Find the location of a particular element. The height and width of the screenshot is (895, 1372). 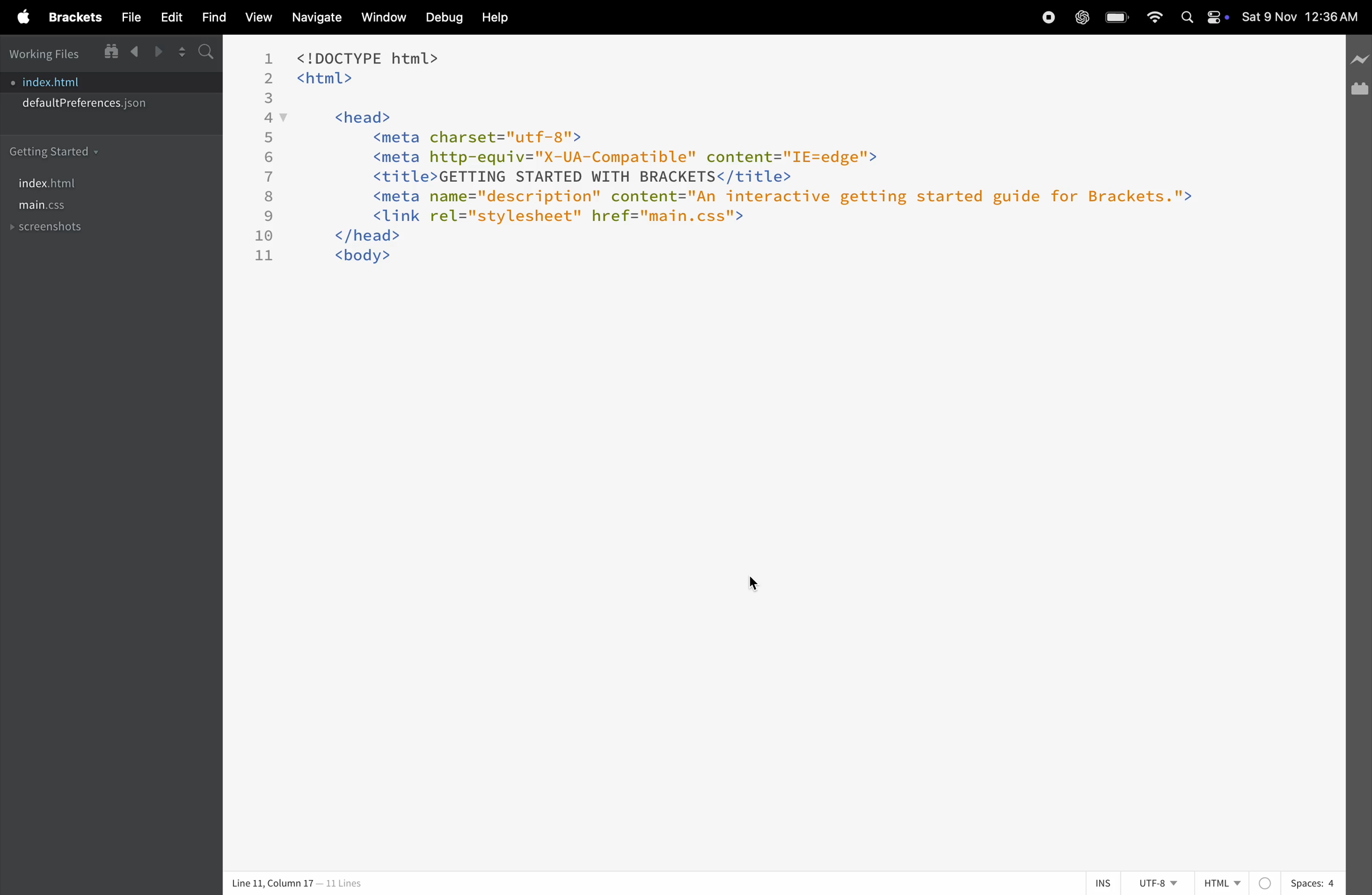

wifi is located at coordinates (1156, 19).